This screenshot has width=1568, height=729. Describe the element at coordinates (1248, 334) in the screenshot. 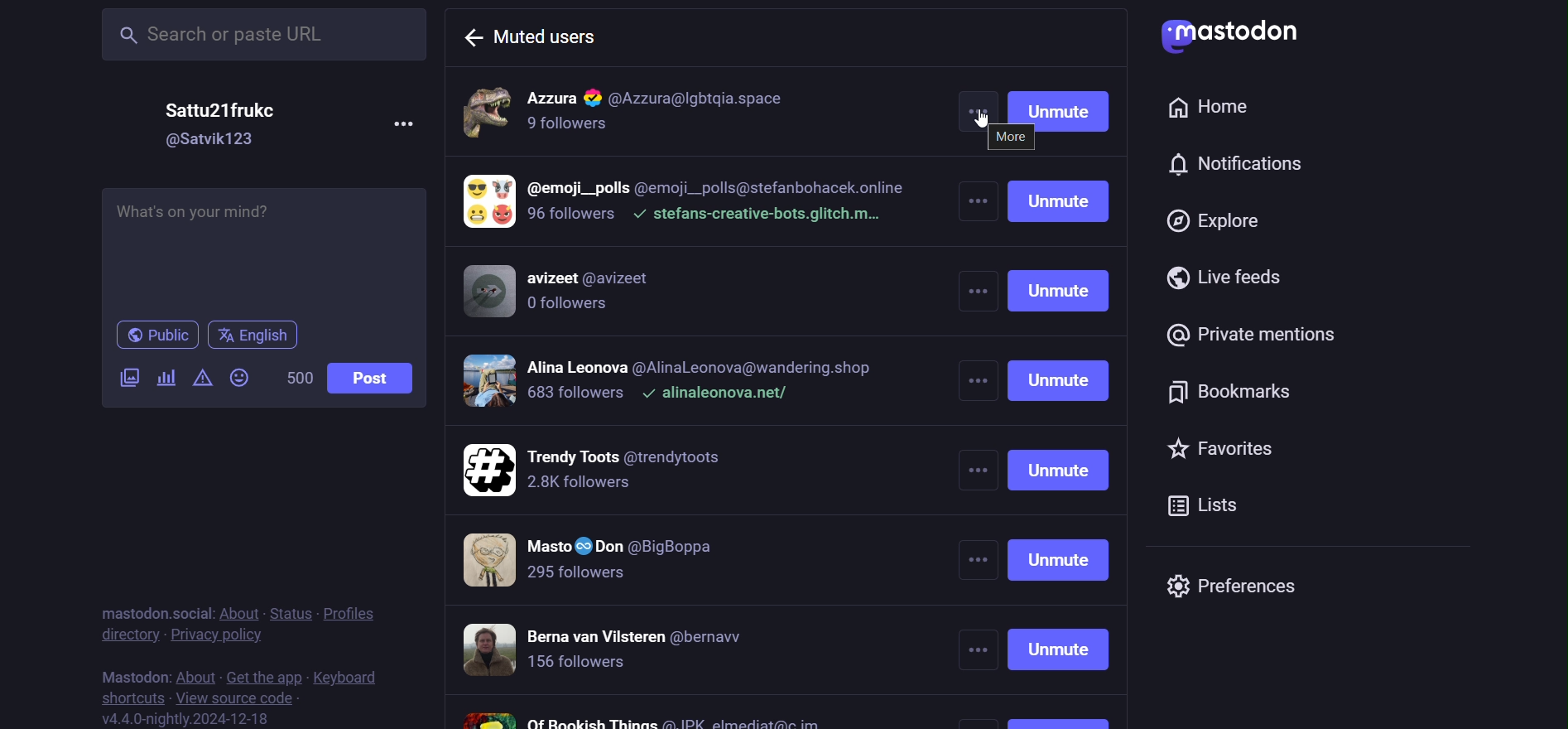

I see `private mention` at that location.